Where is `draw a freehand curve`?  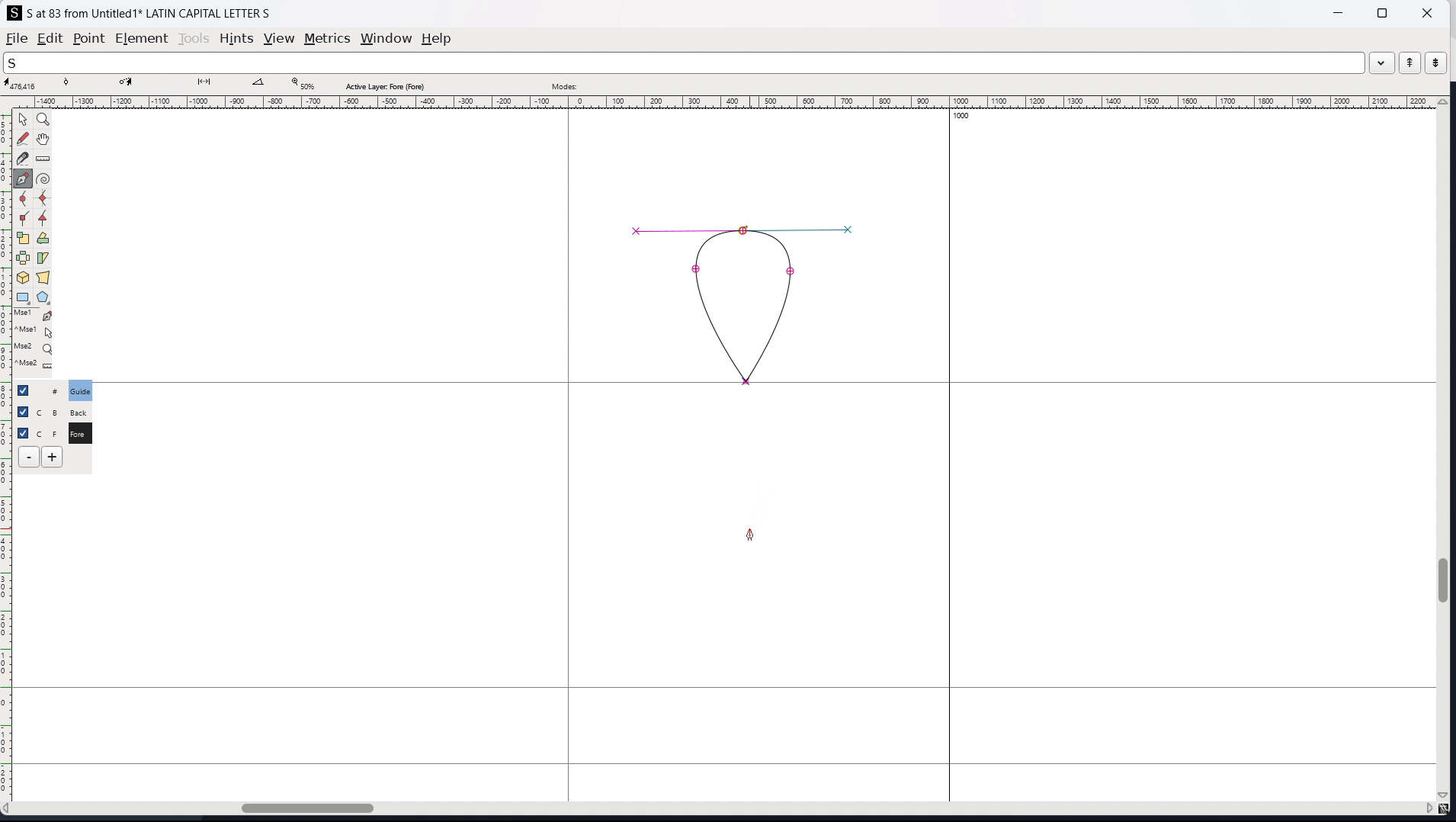 draw a freehand curve is located at coordinates (23, 139).